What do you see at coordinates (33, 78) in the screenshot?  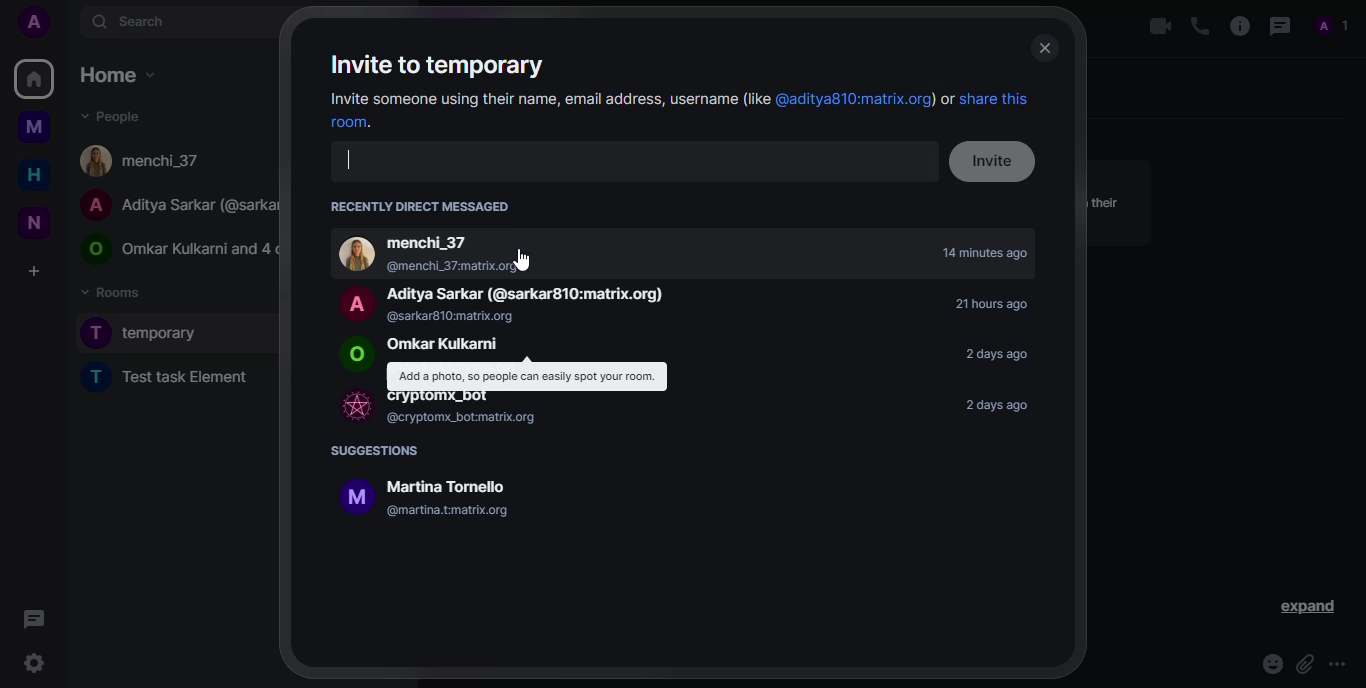 I see `home` at bounding box center [33, 78].